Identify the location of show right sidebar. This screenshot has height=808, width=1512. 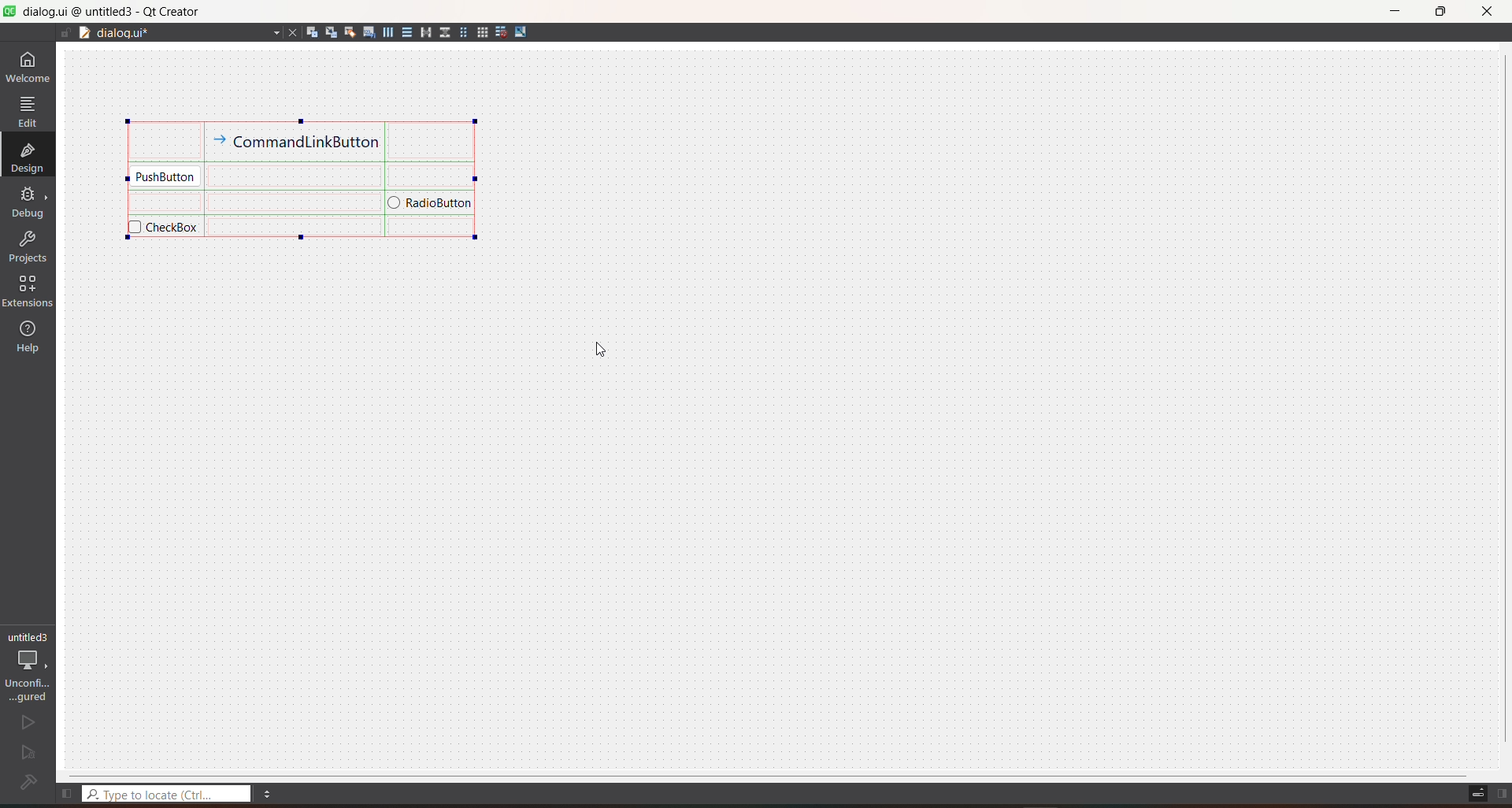
(1502, 786).